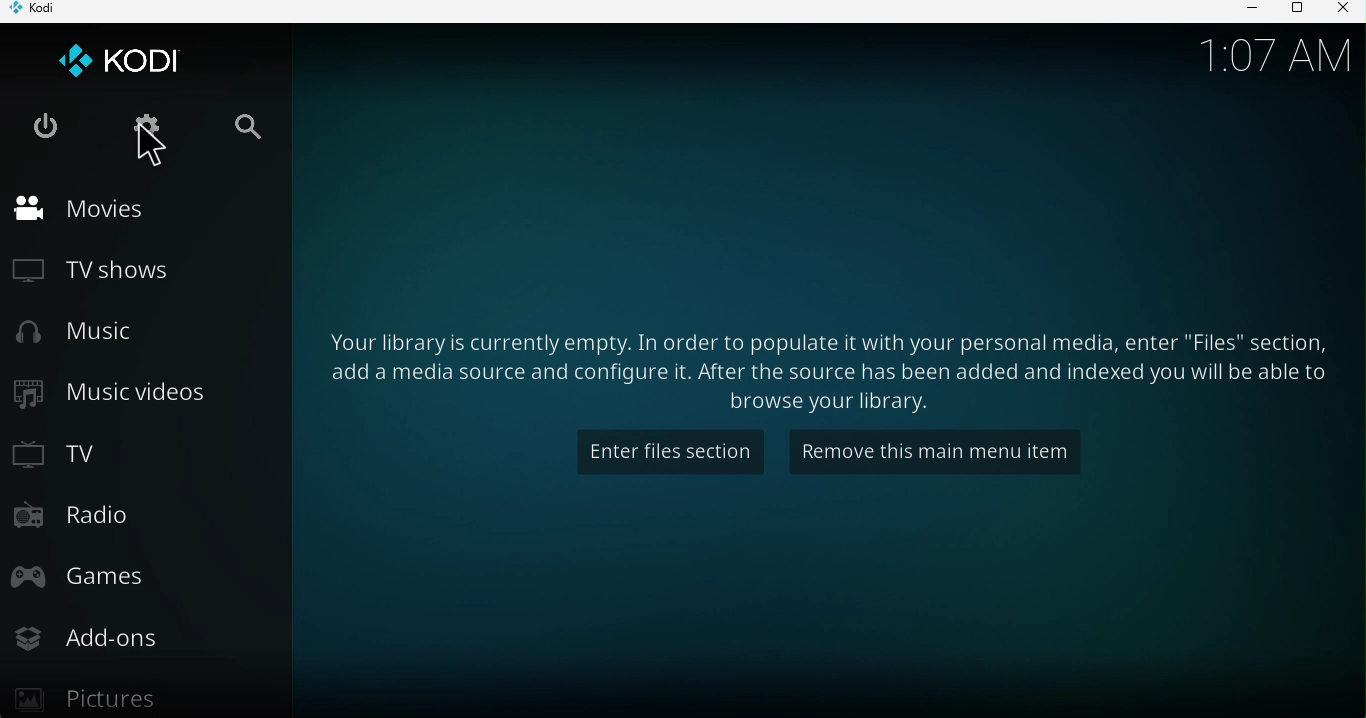 The height and width of the screenshot is (718, 1366). Describe the element at coordinates (94, 212) in the screenshot. I see `Movies` at that location.